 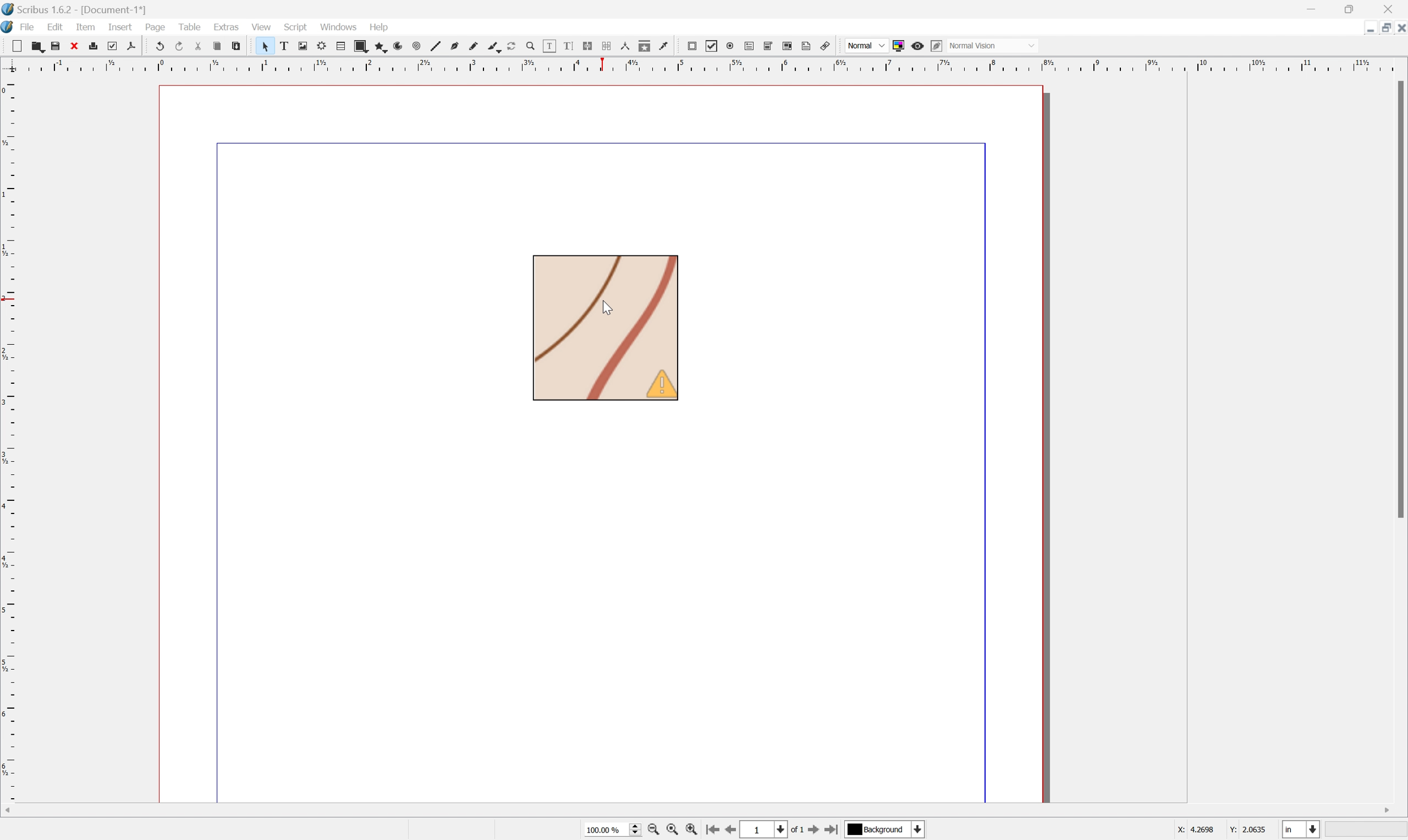 What do you see at coordinates (766, 830) in the screenshot?
I see `Select the current page` at bounding box center [766, 830].